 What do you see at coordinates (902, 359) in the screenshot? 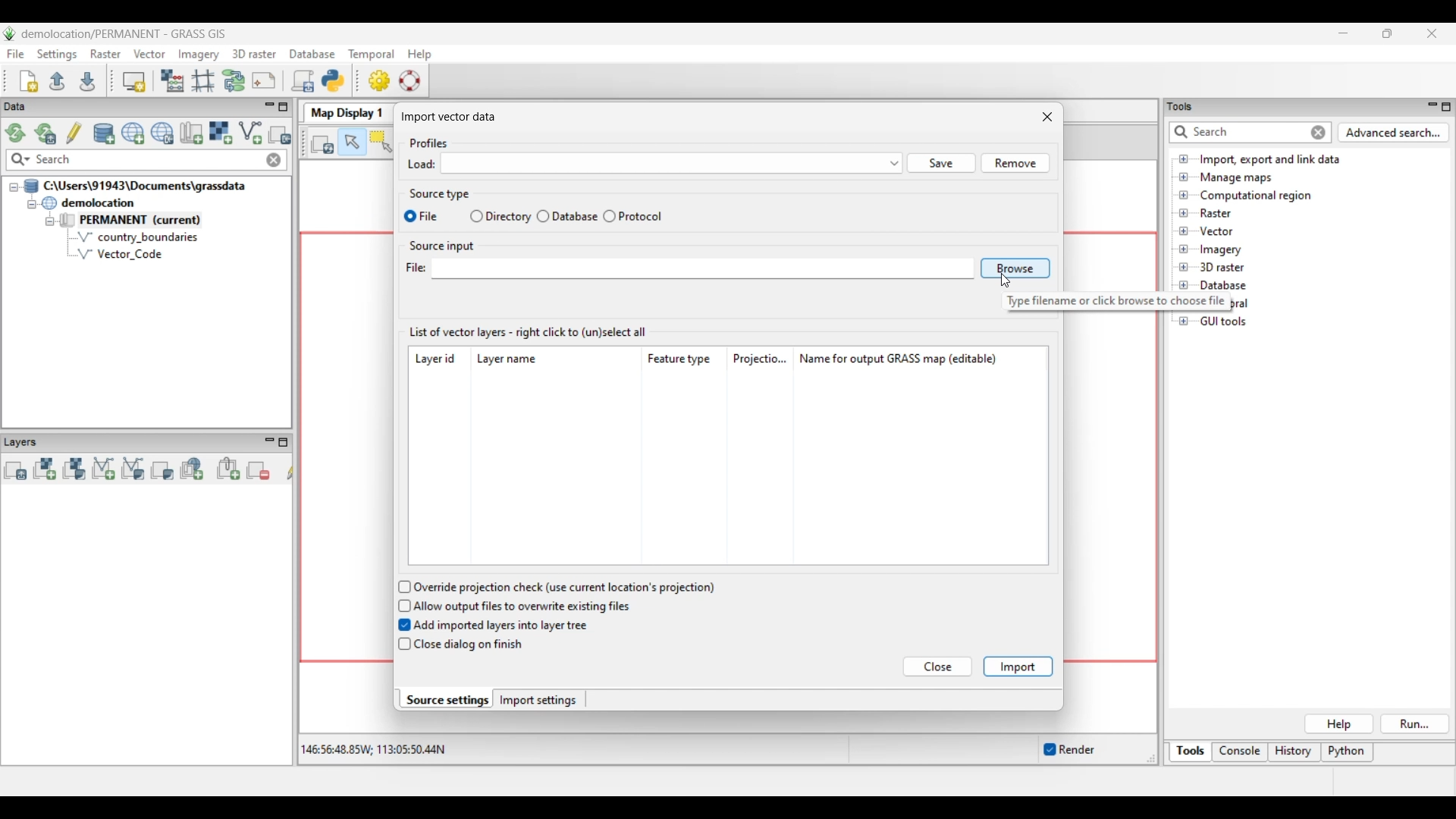
I see `Name for output GRASS map column` at bounding box center [902, 359].